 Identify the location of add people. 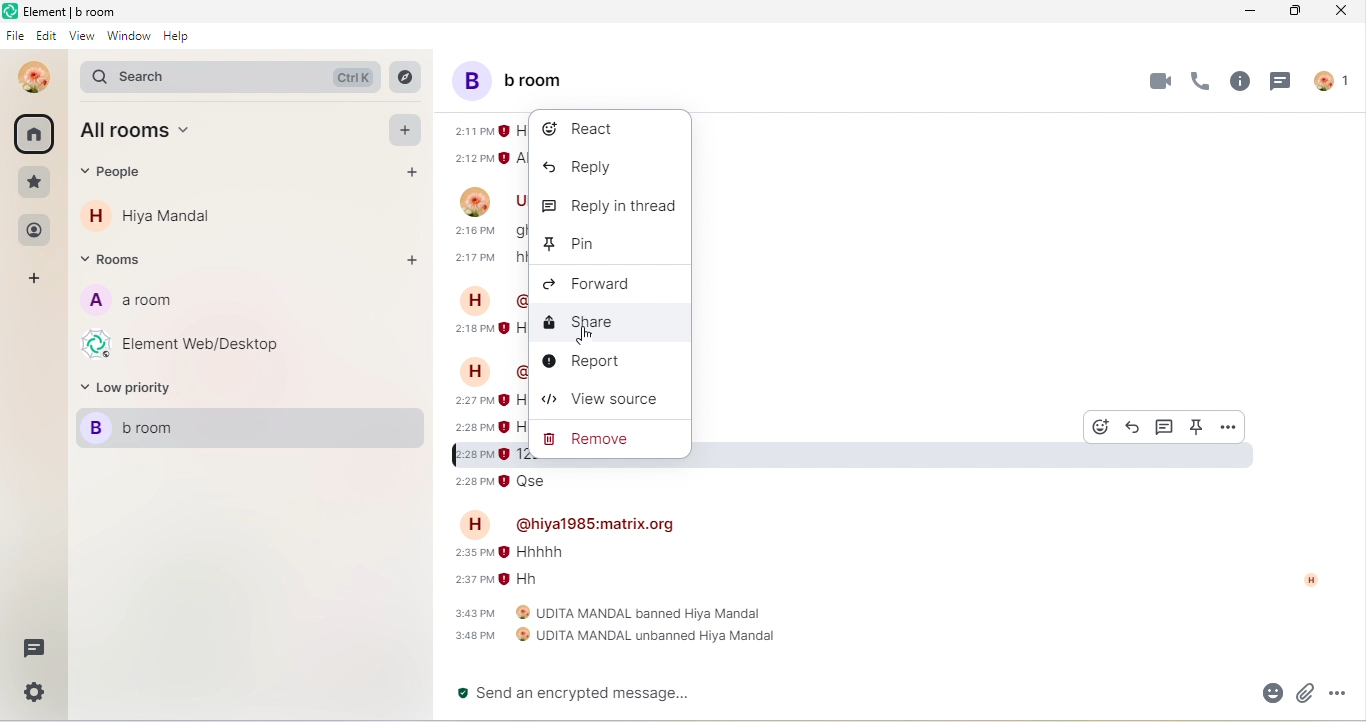
(413, 176).